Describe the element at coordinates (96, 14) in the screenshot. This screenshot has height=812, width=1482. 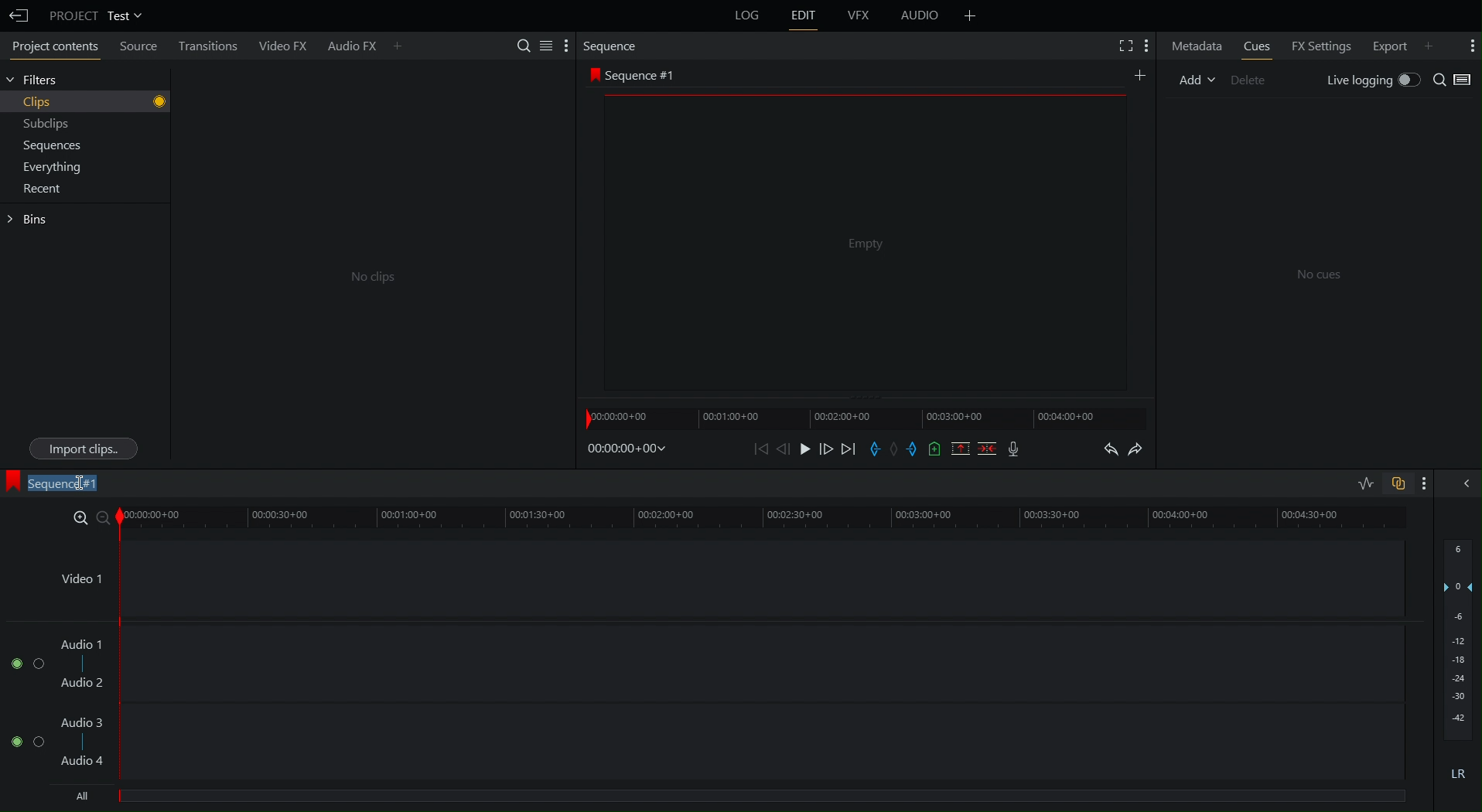
I see `Project Test` at that location.